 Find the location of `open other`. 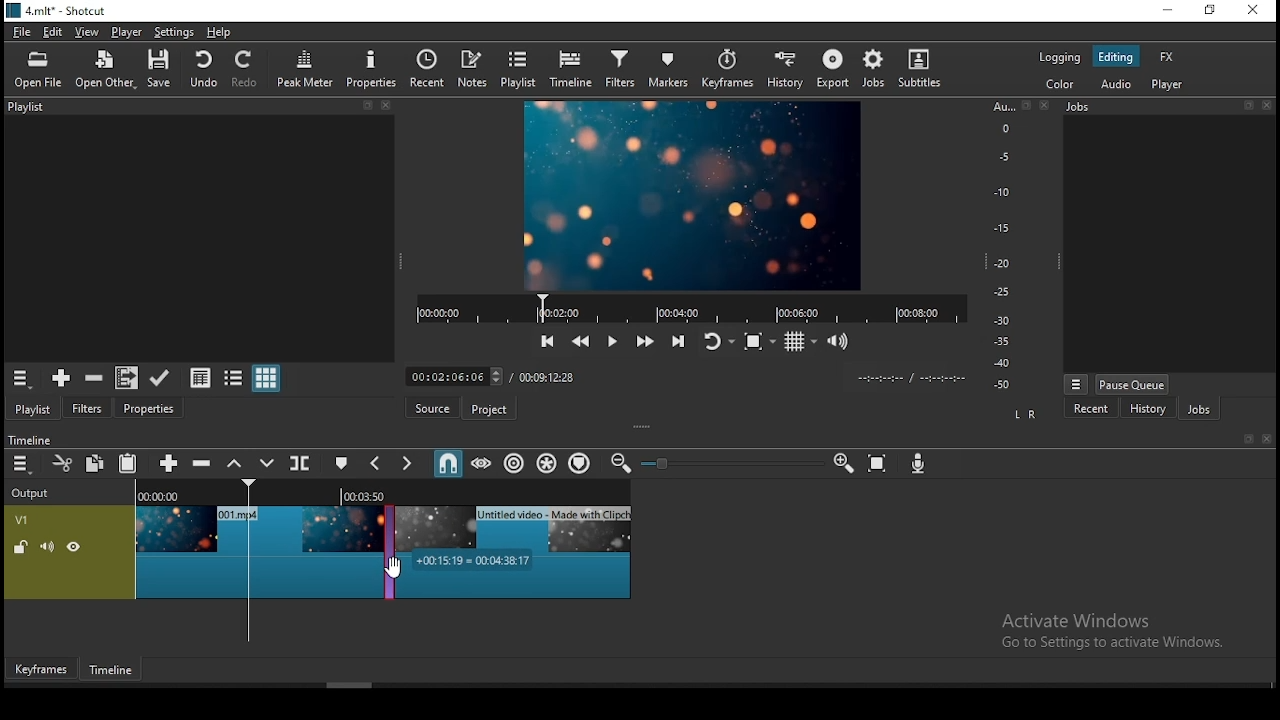

open other is located at coordinates (107, 70).